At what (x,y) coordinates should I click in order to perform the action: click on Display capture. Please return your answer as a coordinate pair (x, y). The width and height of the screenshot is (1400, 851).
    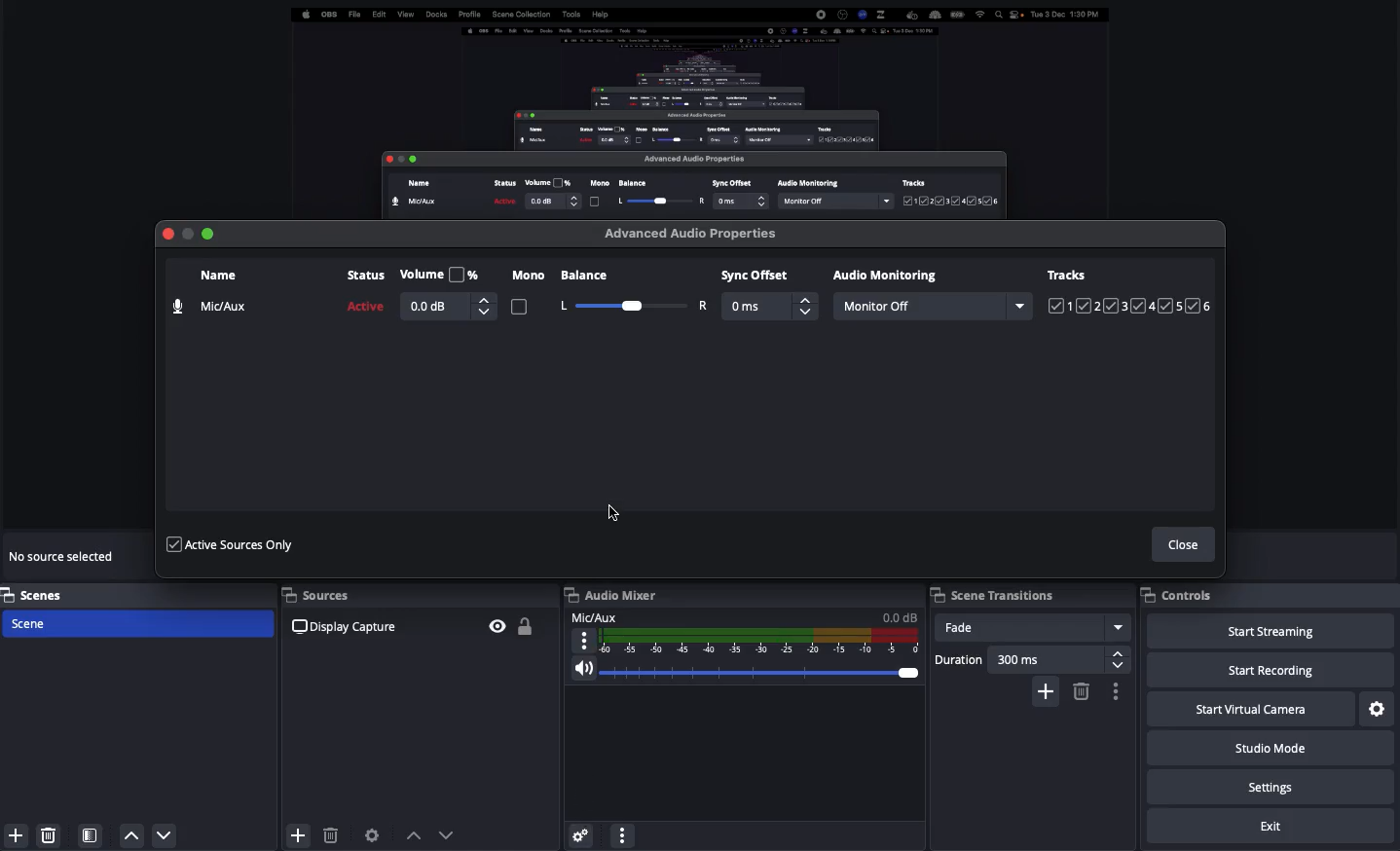
    Looking at the image, I should click on (357, 629).